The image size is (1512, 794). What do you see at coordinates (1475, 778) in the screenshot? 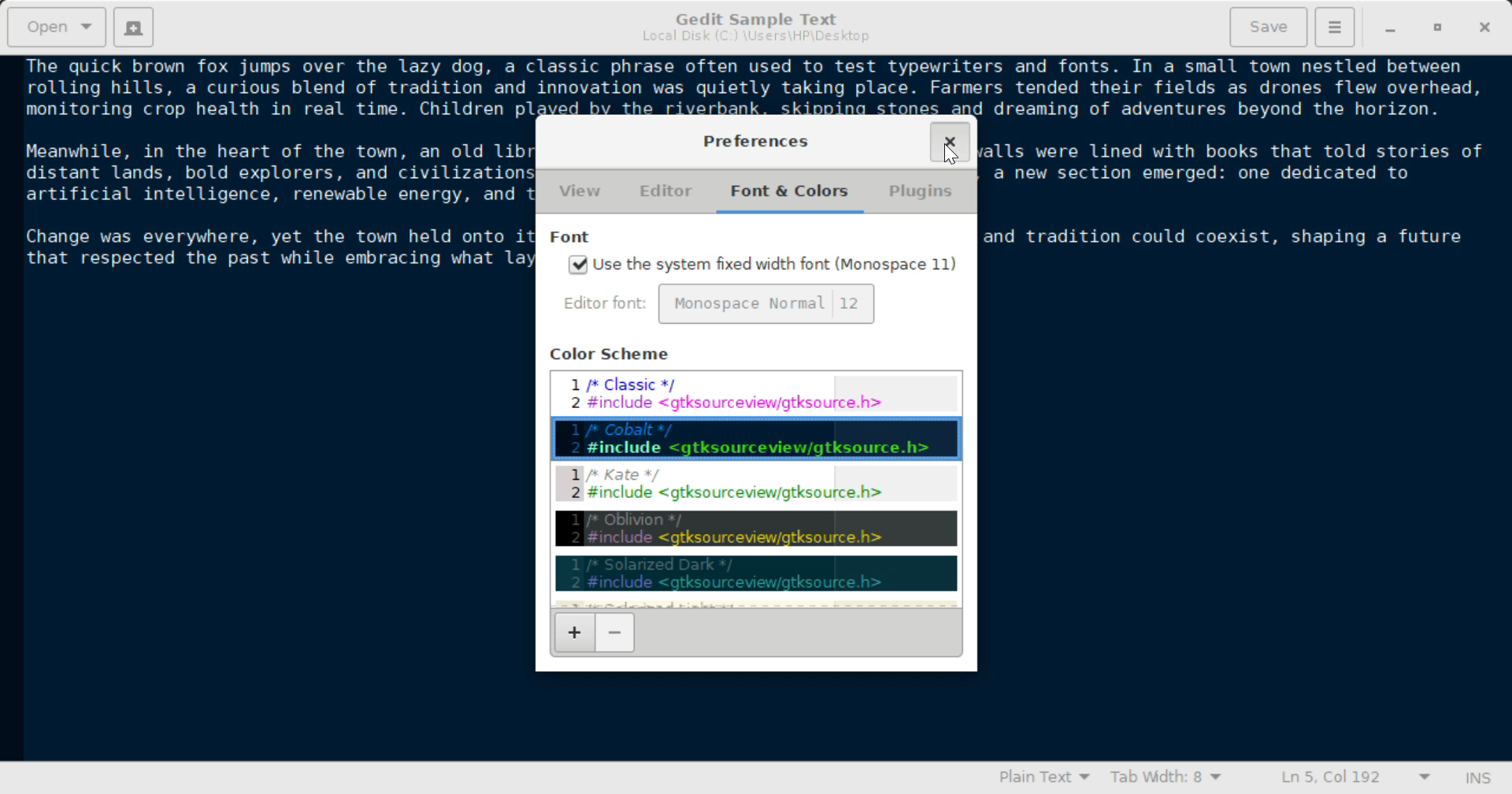
I see `Insert Mode` at bounding box center [1475, 778].